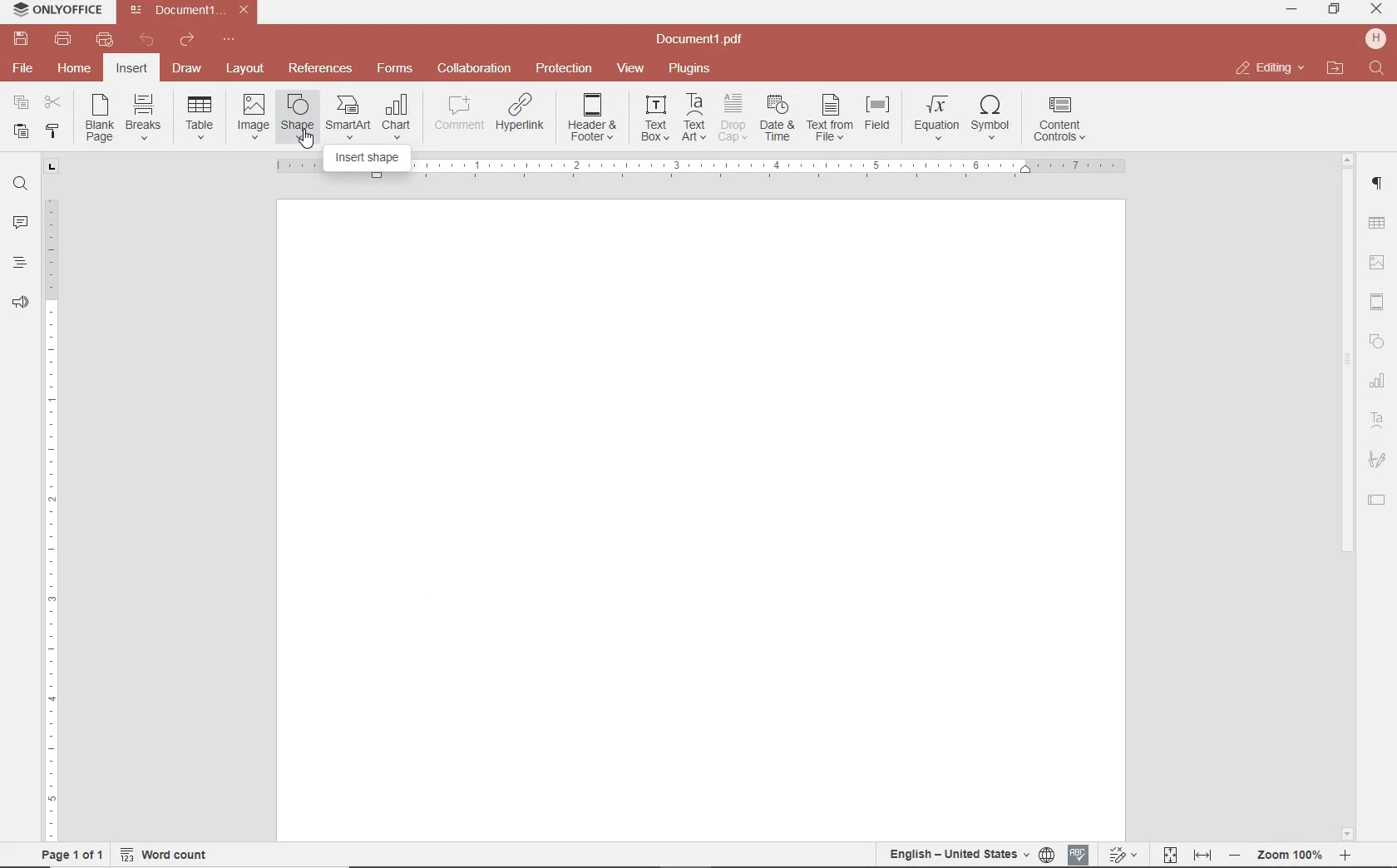 The height and width of the screenshot is (868, 1397). I want to click on forms, so click(395, 68).